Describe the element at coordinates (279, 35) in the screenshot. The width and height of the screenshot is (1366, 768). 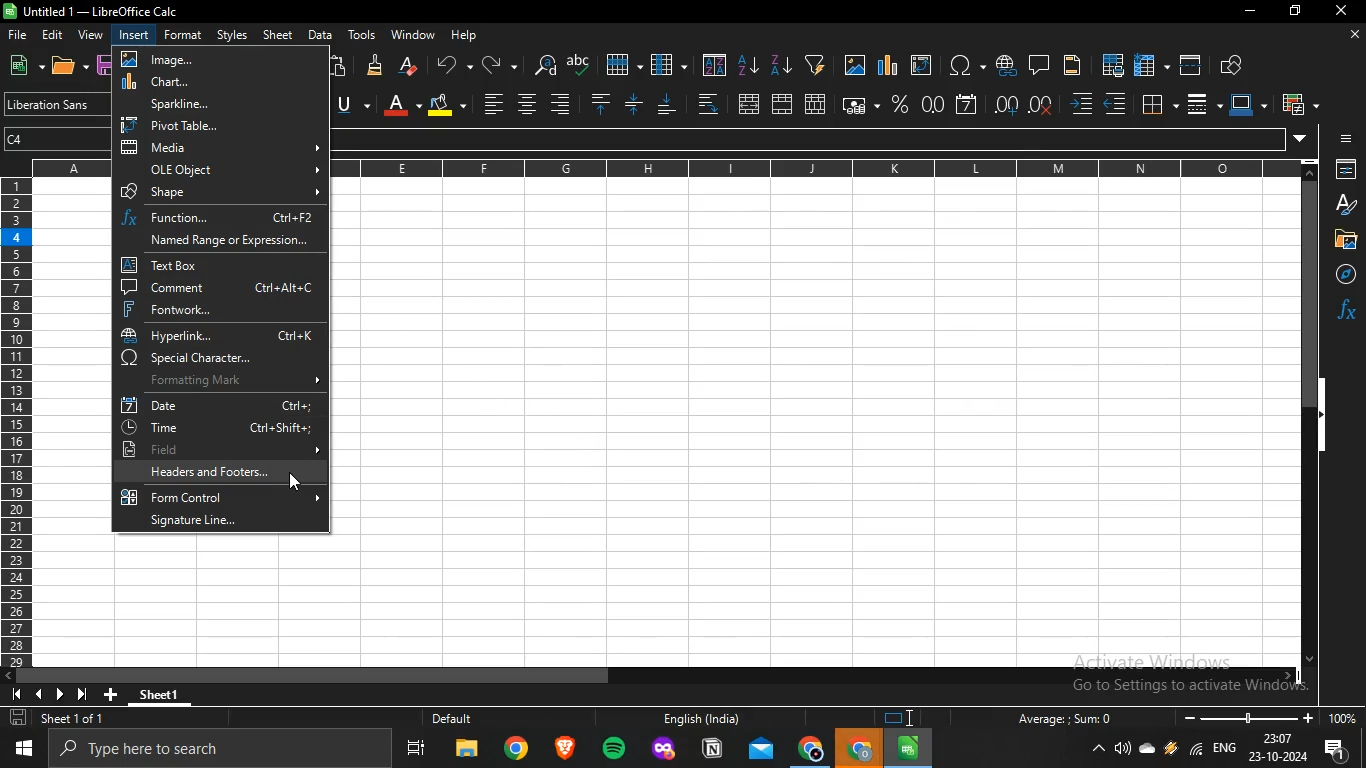
I see `sheet` at that location.